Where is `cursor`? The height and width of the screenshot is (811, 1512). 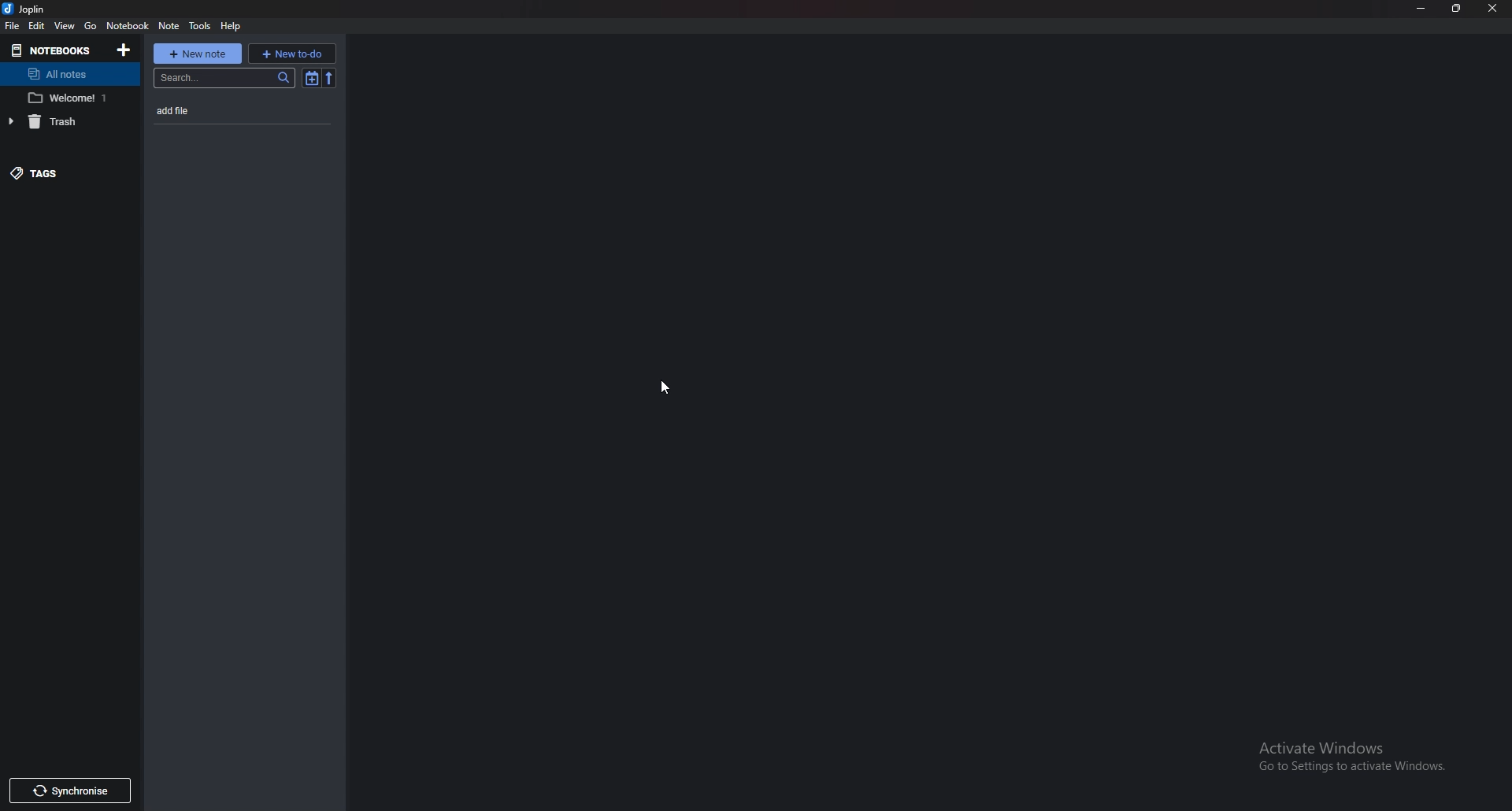
cursor is located at coordinates (664, 387).